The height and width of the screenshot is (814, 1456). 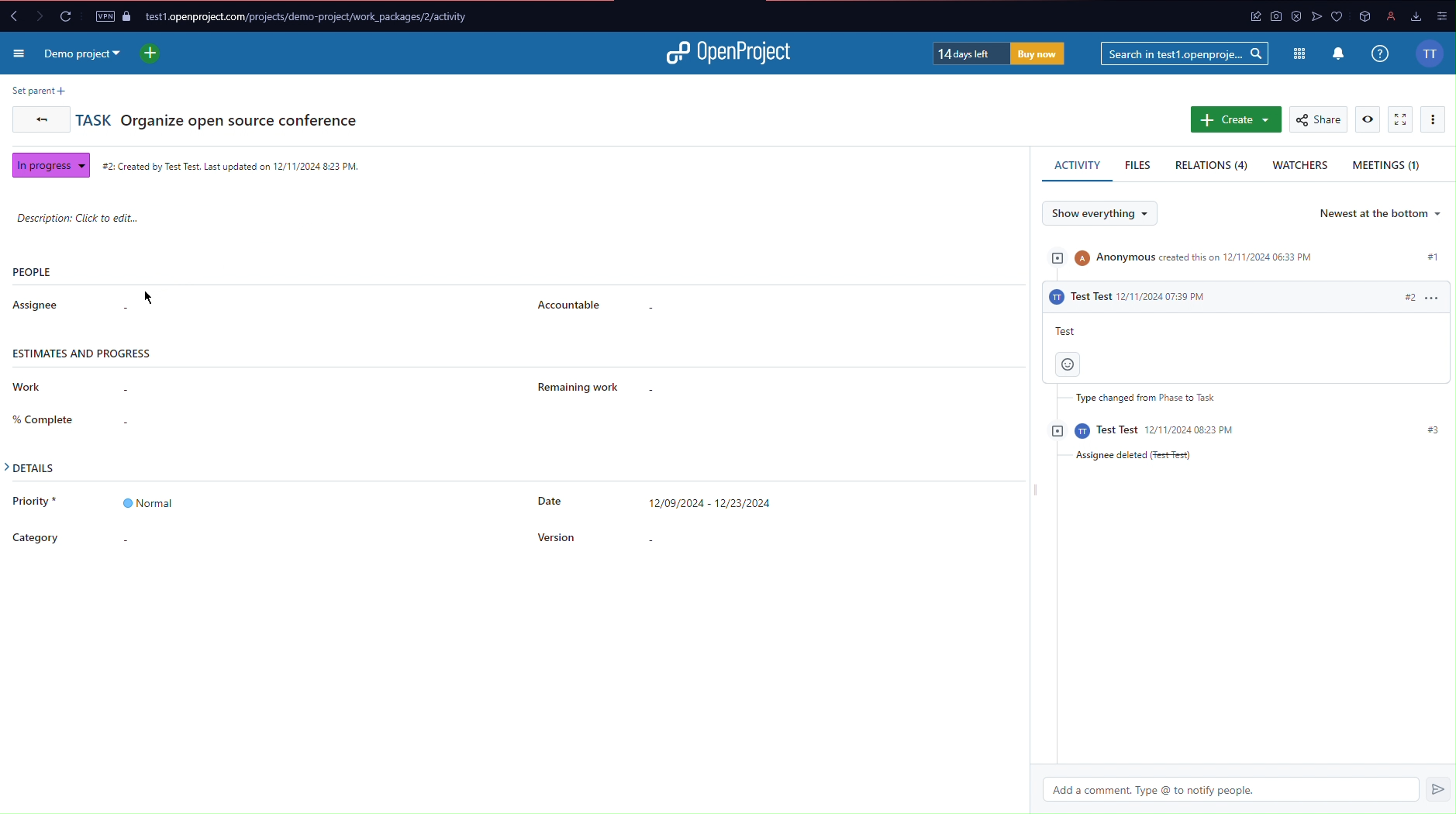 I want to click on options, so click(x=1440, y=14).